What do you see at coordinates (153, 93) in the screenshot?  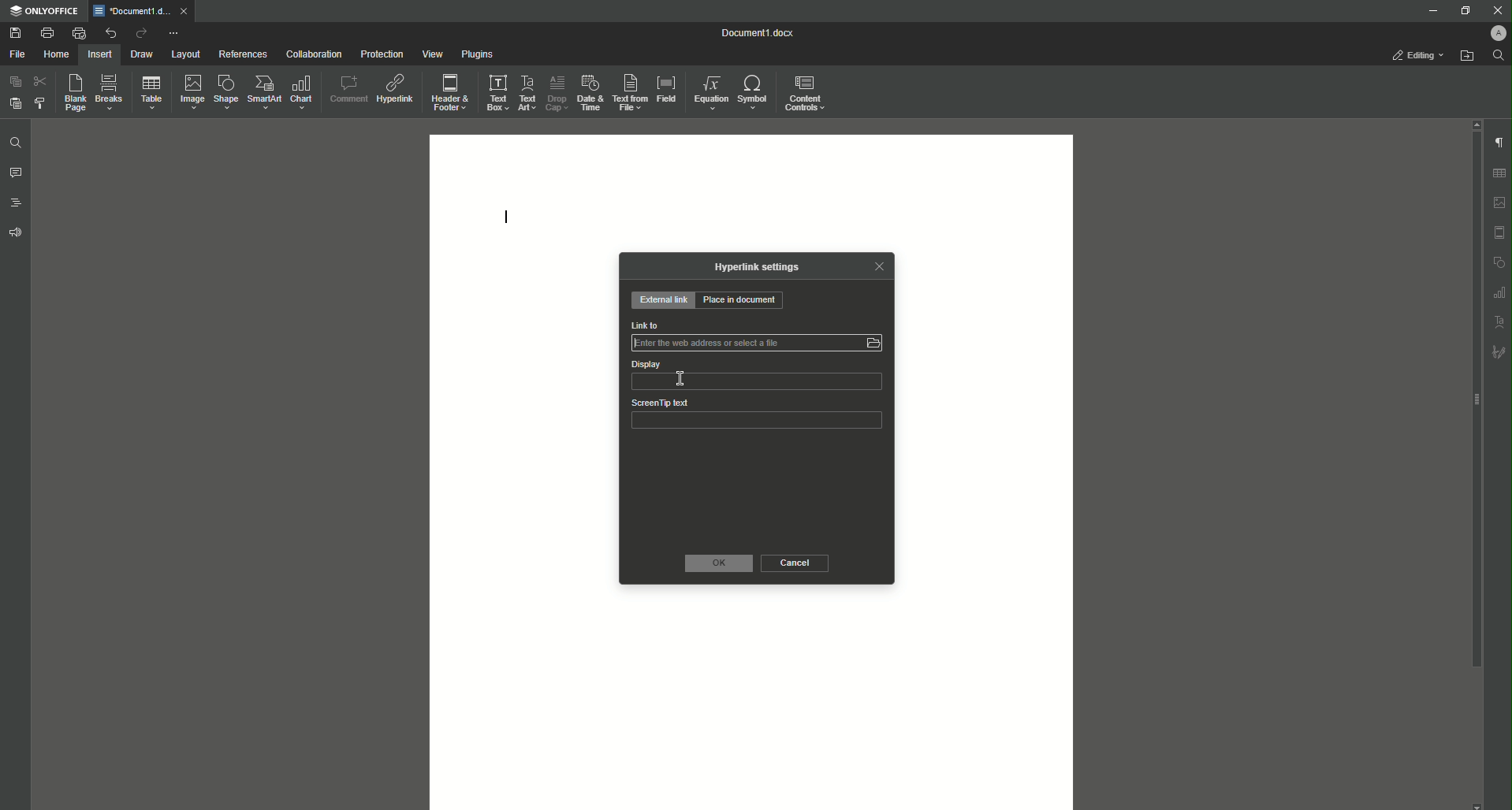 I see `Table` at bounding box center [153, 93].